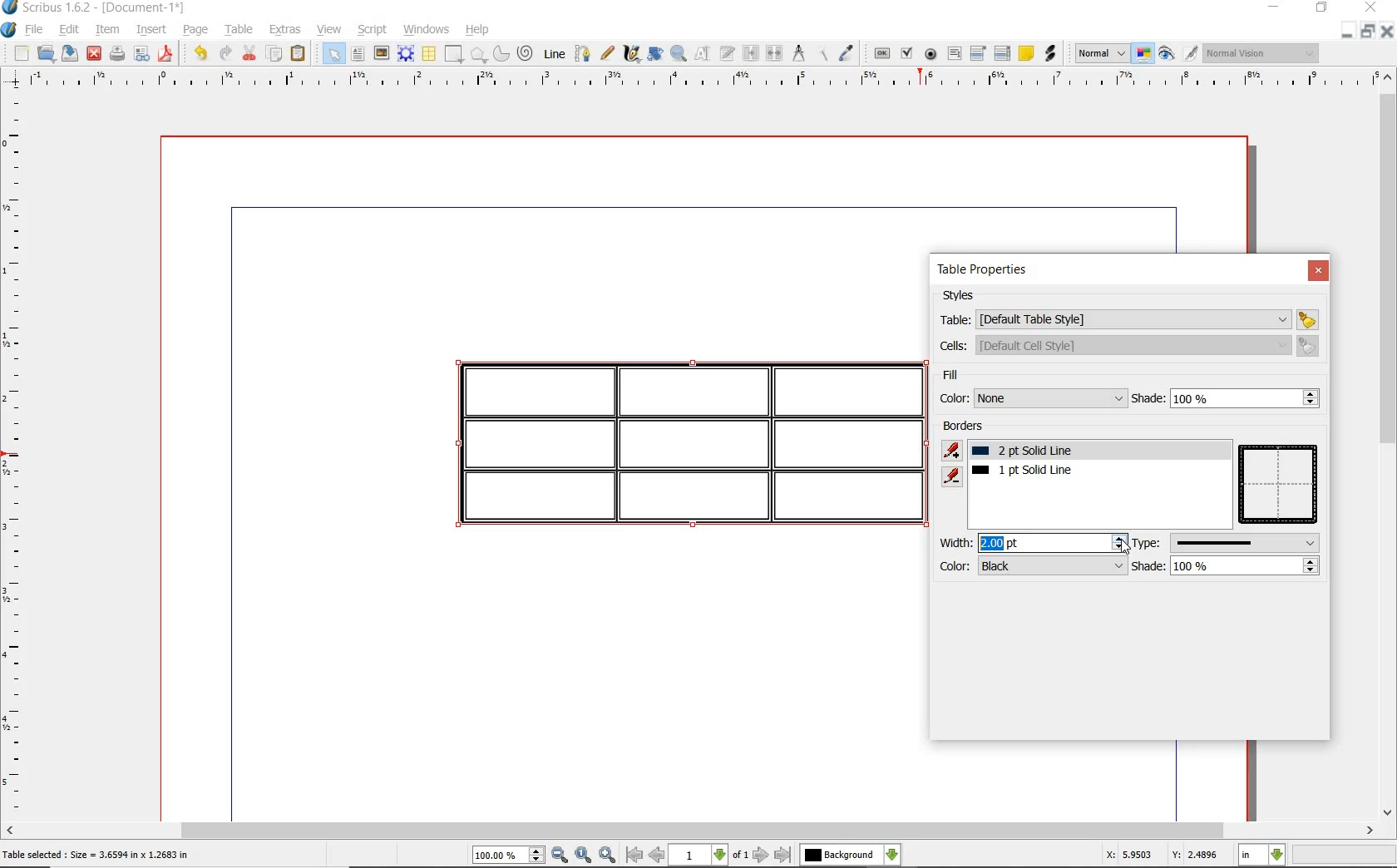 Image resolution: width=1397 pixels, height=868 pixels. I want to click on page, so click(196, 31).